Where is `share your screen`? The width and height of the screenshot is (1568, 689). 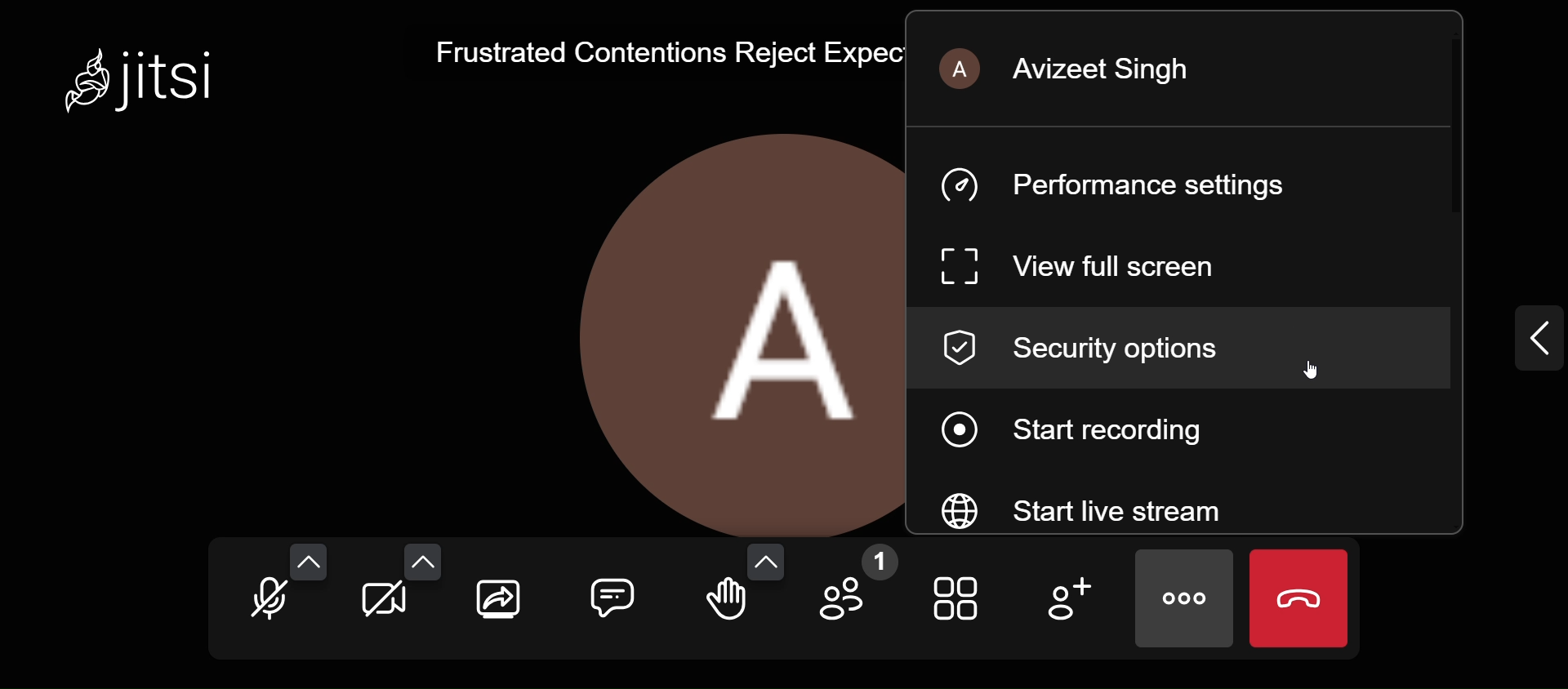
share your screen is located at coordinates (504, 599).